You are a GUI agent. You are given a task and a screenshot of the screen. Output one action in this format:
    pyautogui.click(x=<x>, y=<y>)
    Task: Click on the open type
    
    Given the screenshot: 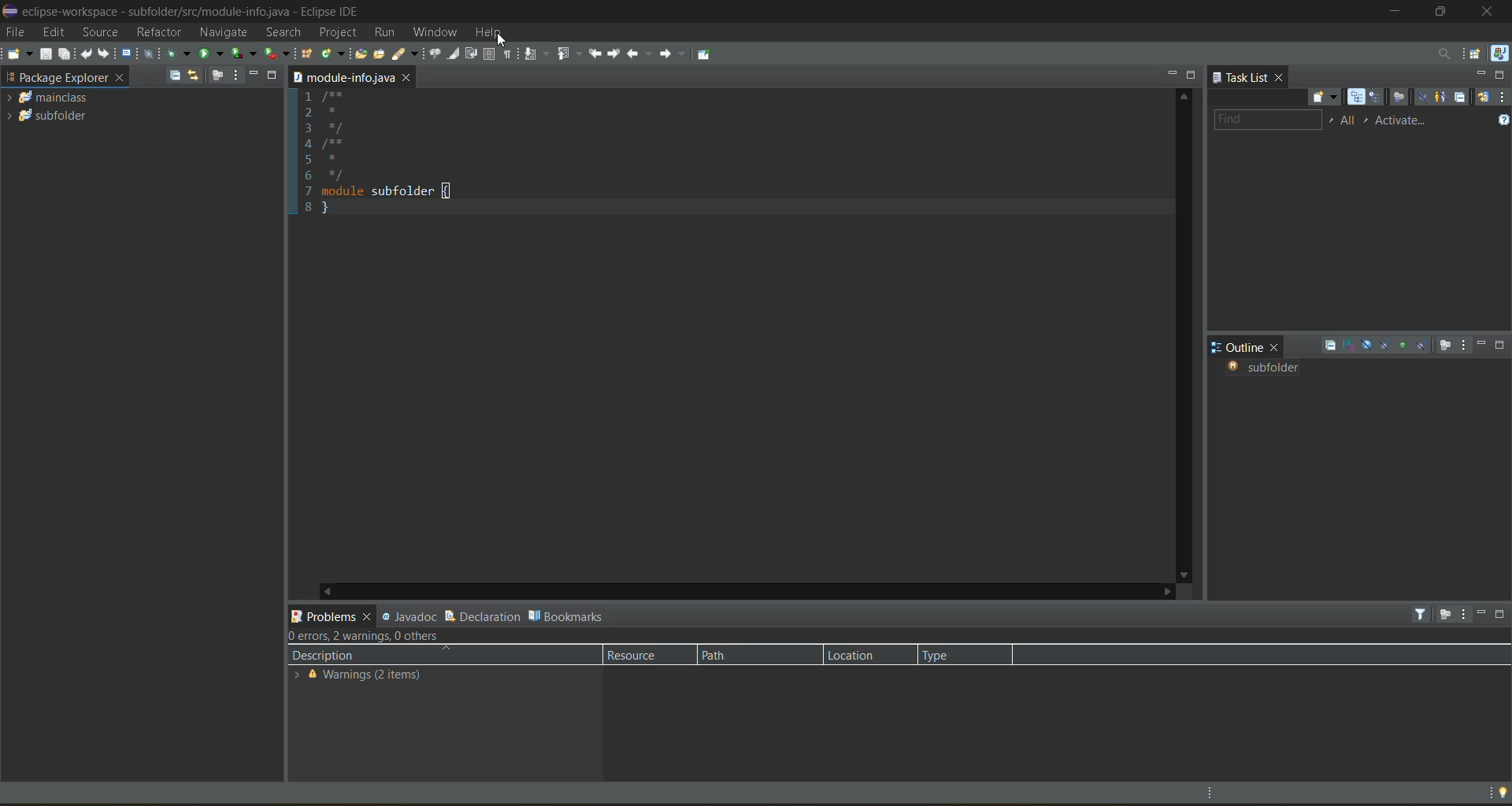 What is the action you would take?
    pyautogui.click(x=359, y=52)
    